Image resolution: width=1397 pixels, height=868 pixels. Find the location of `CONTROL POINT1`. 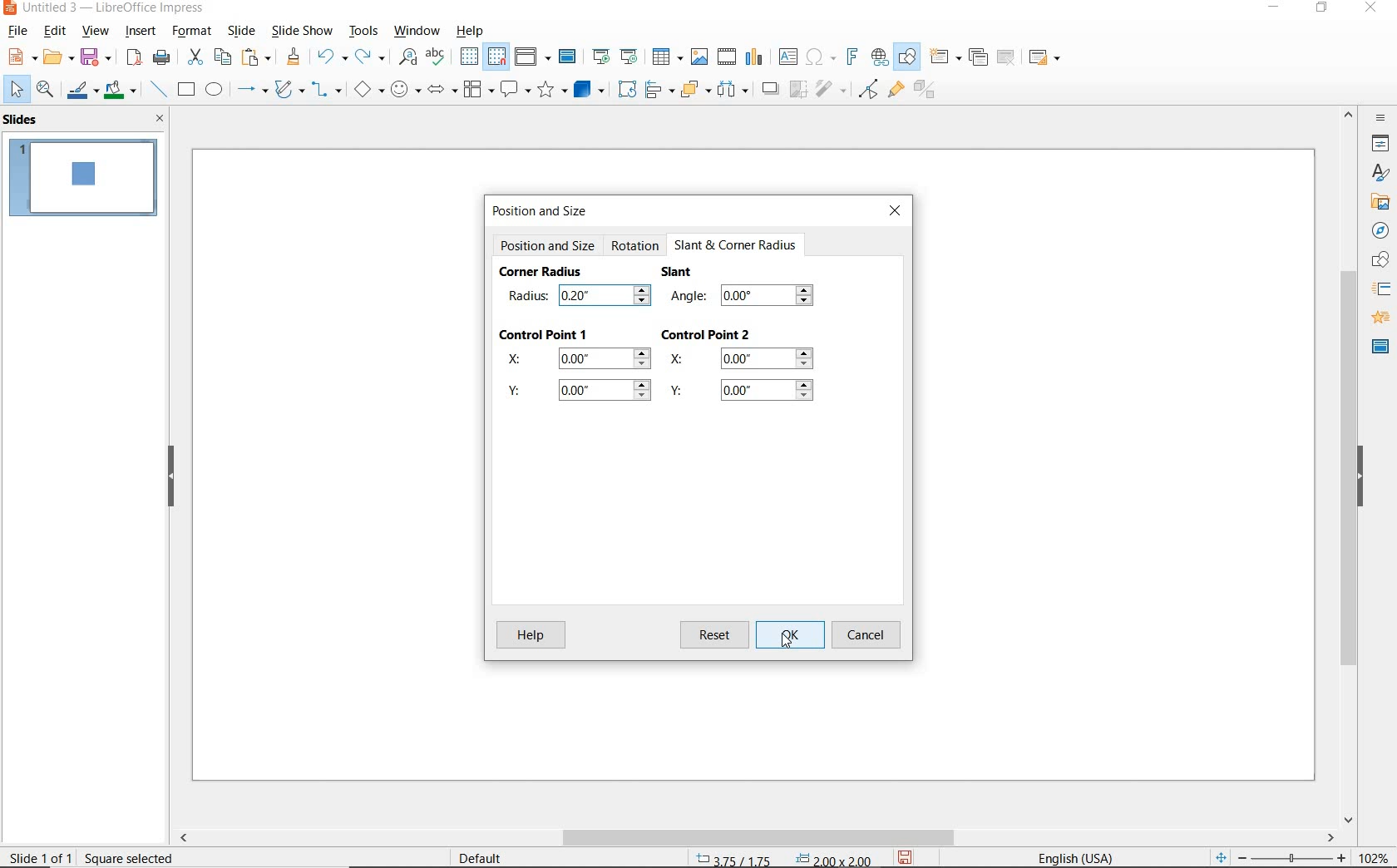

CONTROL POINT1 is located at coordinates (545, 333).